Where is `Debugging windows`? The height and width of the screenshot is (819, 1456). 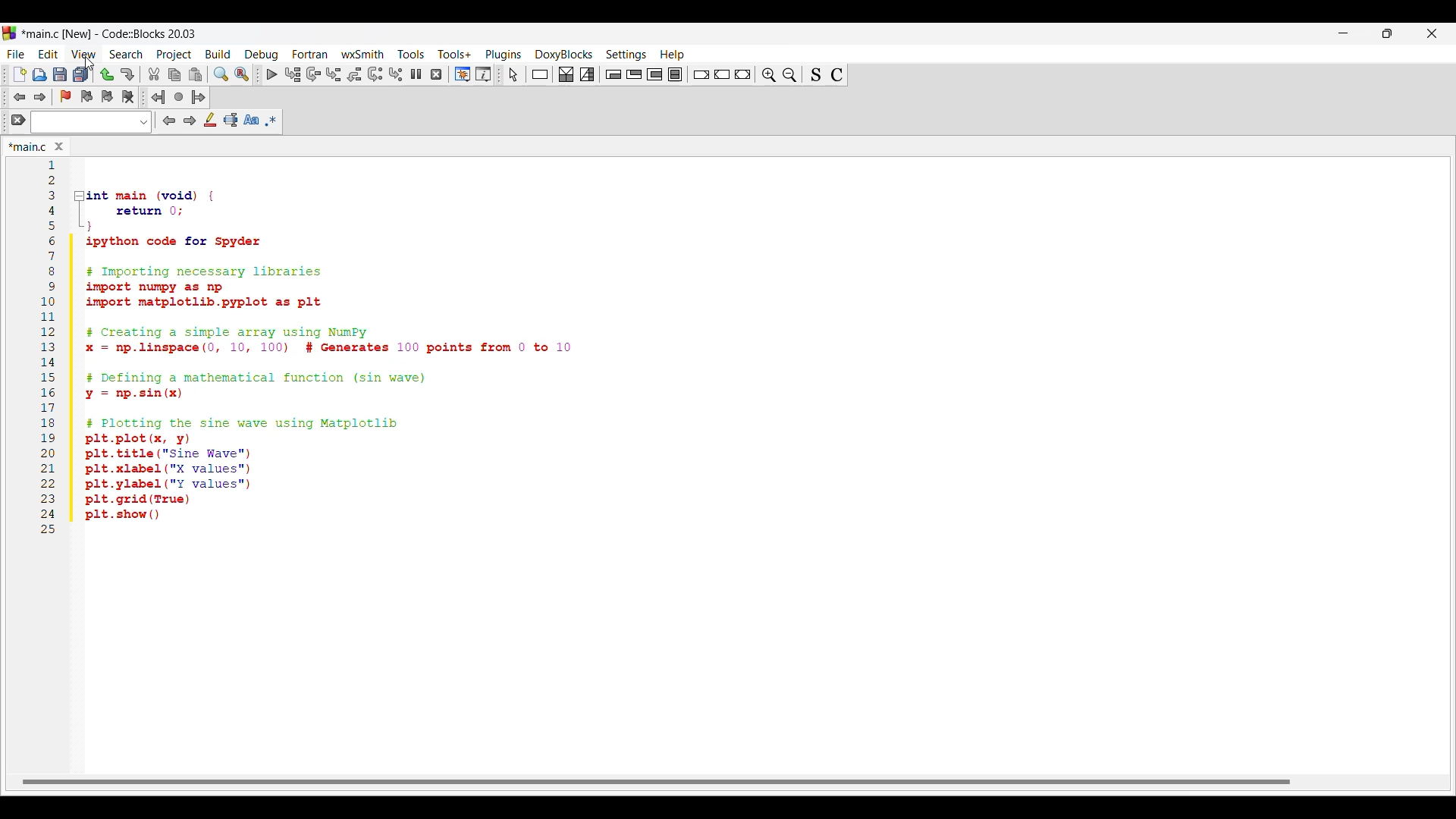
Debugging windows is located at coordinates (463, 74).